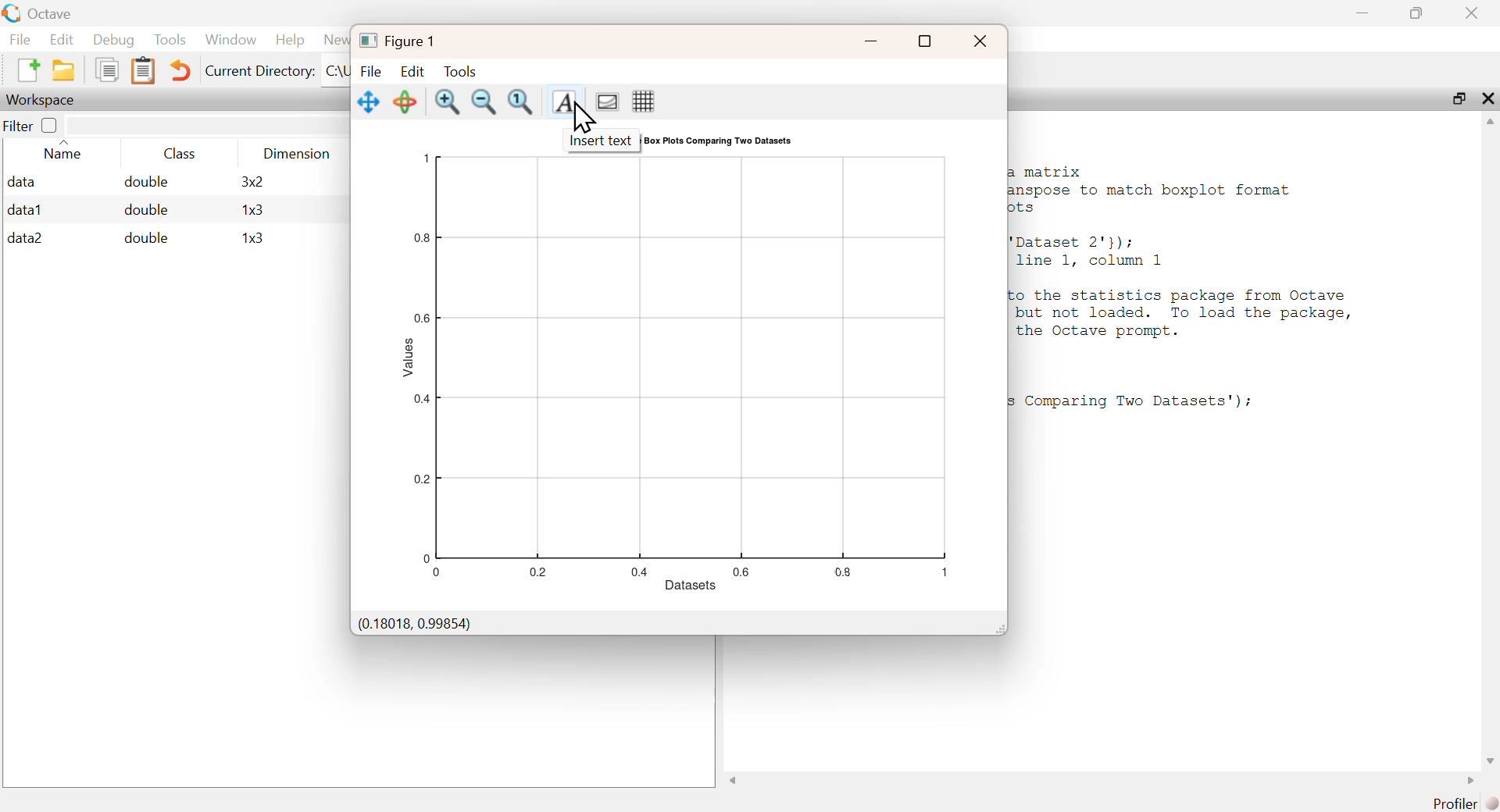  Describe the element at coordinates (645, 101) in the screenshot. I see `Grid` at that location.